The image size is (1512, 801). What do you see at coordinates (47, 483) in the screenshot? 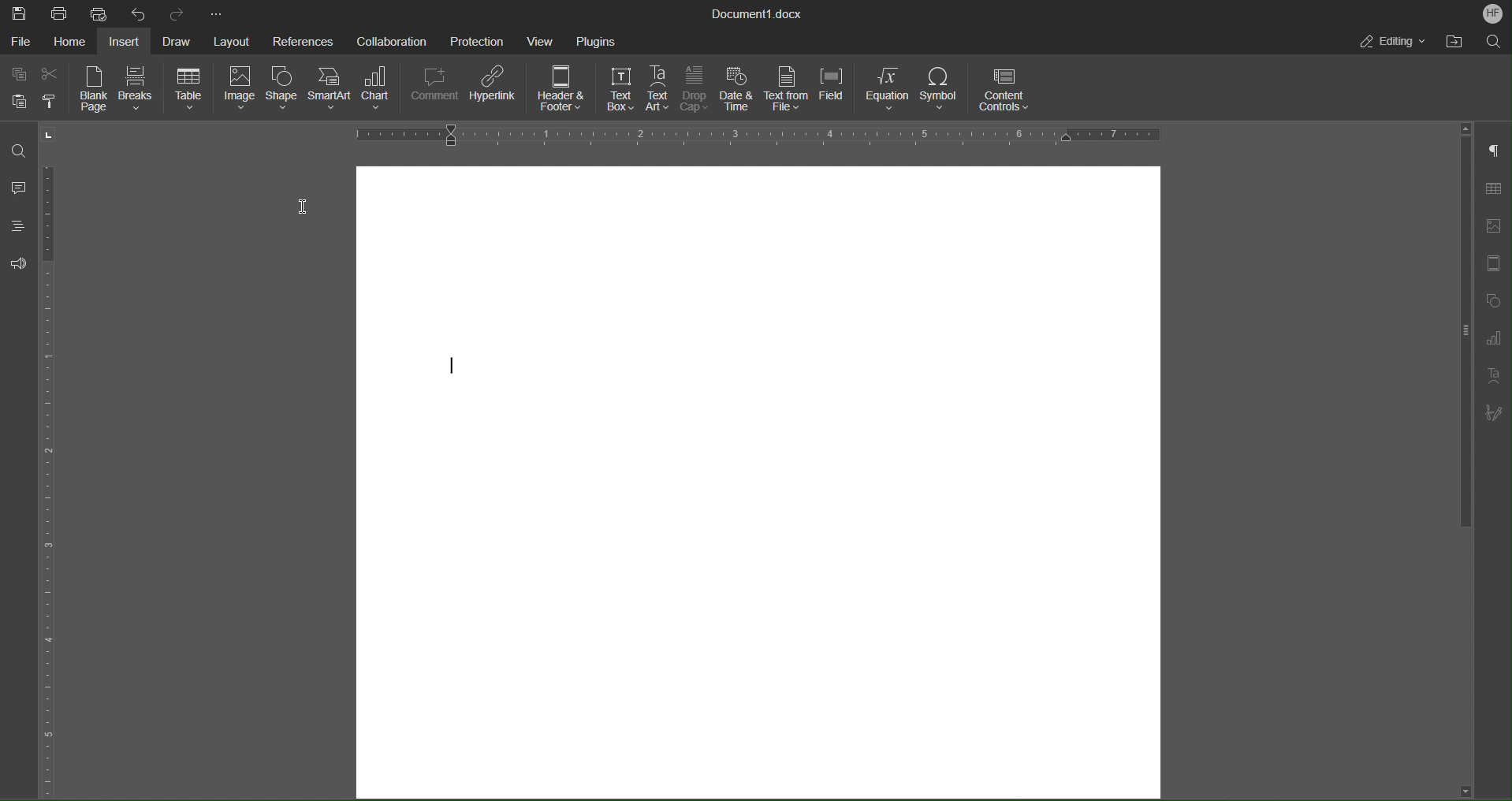
I see `Vertical Color` at bounding box center [47, 483].